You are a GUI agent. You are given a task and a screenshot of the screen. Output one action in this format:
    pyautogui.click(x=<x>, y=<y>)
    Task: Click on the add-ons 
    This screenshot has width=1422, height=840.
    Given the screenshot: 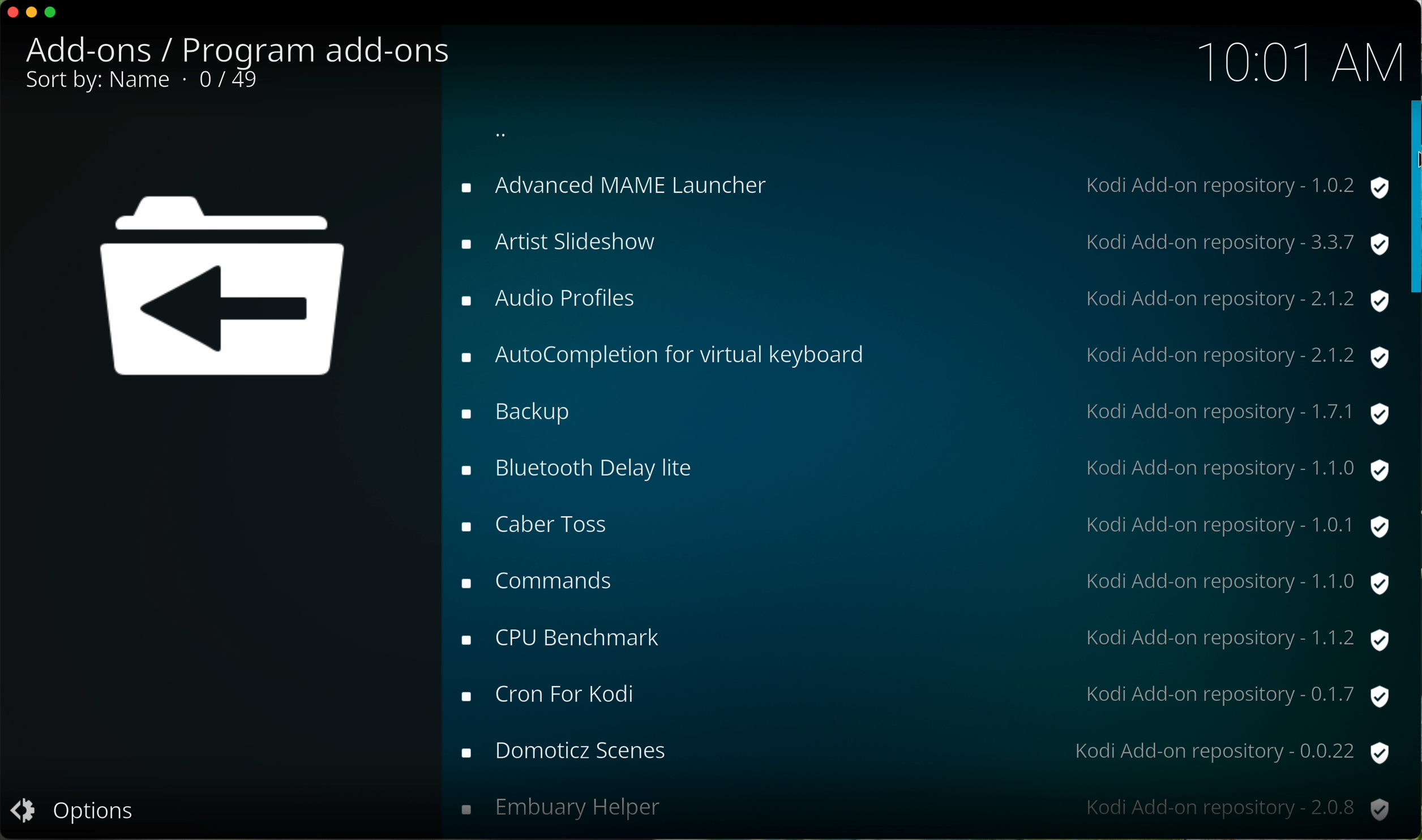 What is the action you would take?
    pyautogui.click(x=102, y=50)
    